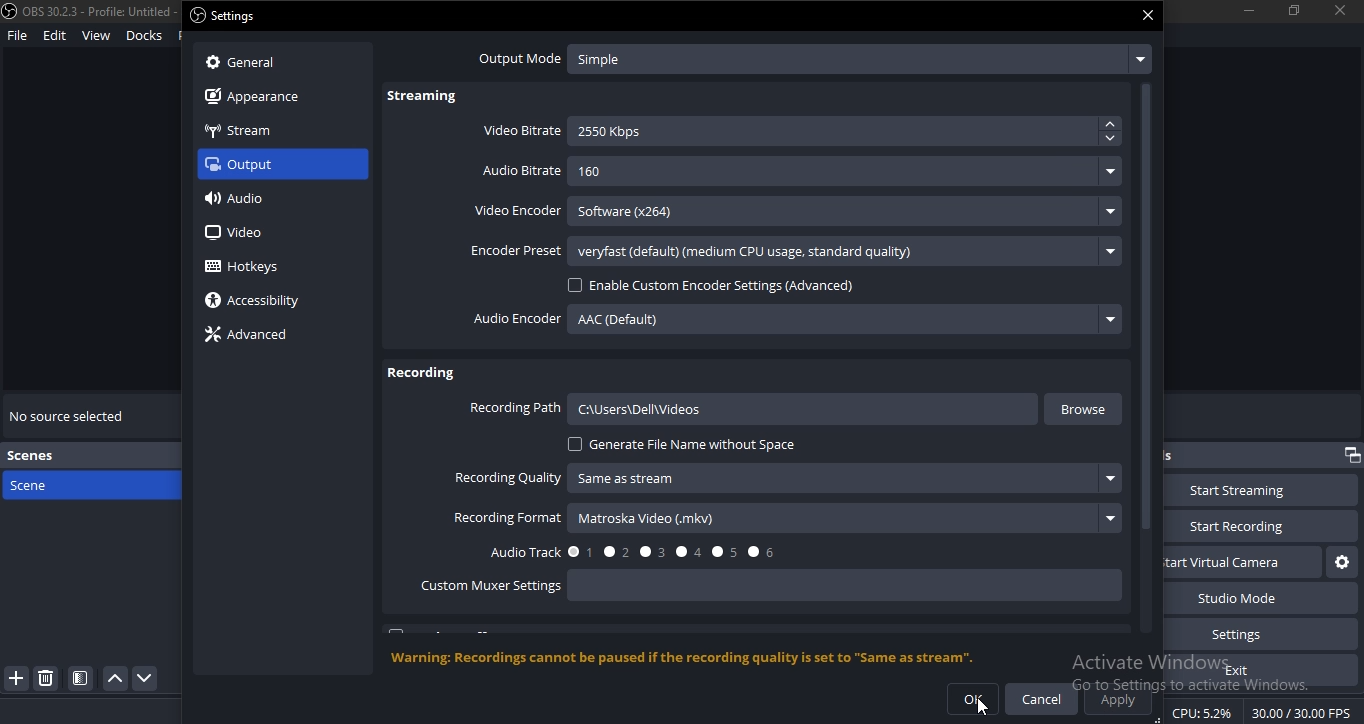 The width and height of the screenshot is (1364, 724). I want to click on scrollbar, so click(1147, 375).